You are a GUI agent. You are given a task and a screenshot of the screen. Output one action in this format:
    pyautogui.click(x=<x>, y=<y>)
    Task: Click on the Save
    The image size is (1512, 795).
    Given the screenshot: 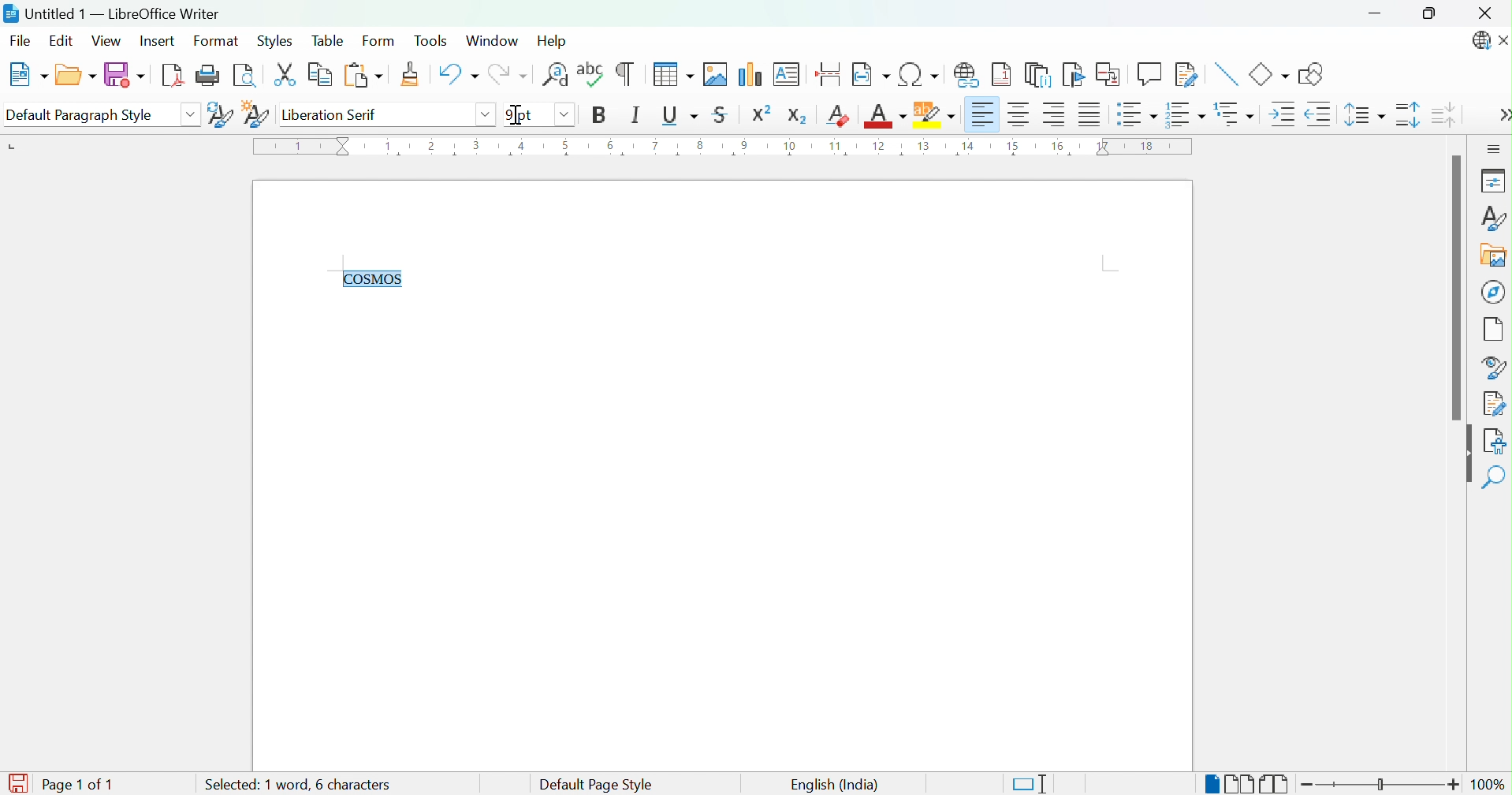 What is the action you would take?
    pyautogui.click(x=20, y=776)
    